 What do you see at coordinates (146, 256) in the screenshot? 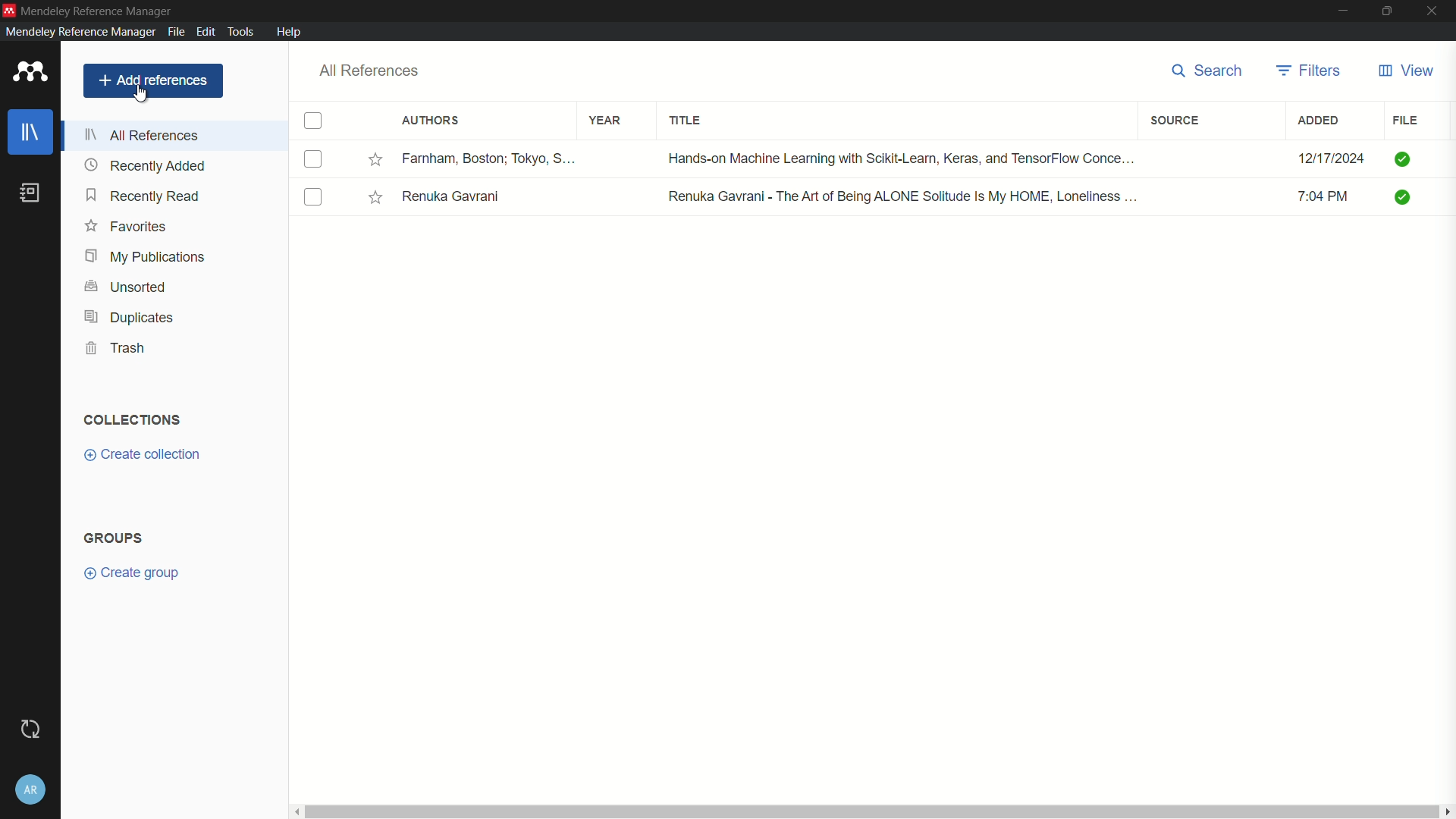
I see `my publications` at bounding box center [146, 256].